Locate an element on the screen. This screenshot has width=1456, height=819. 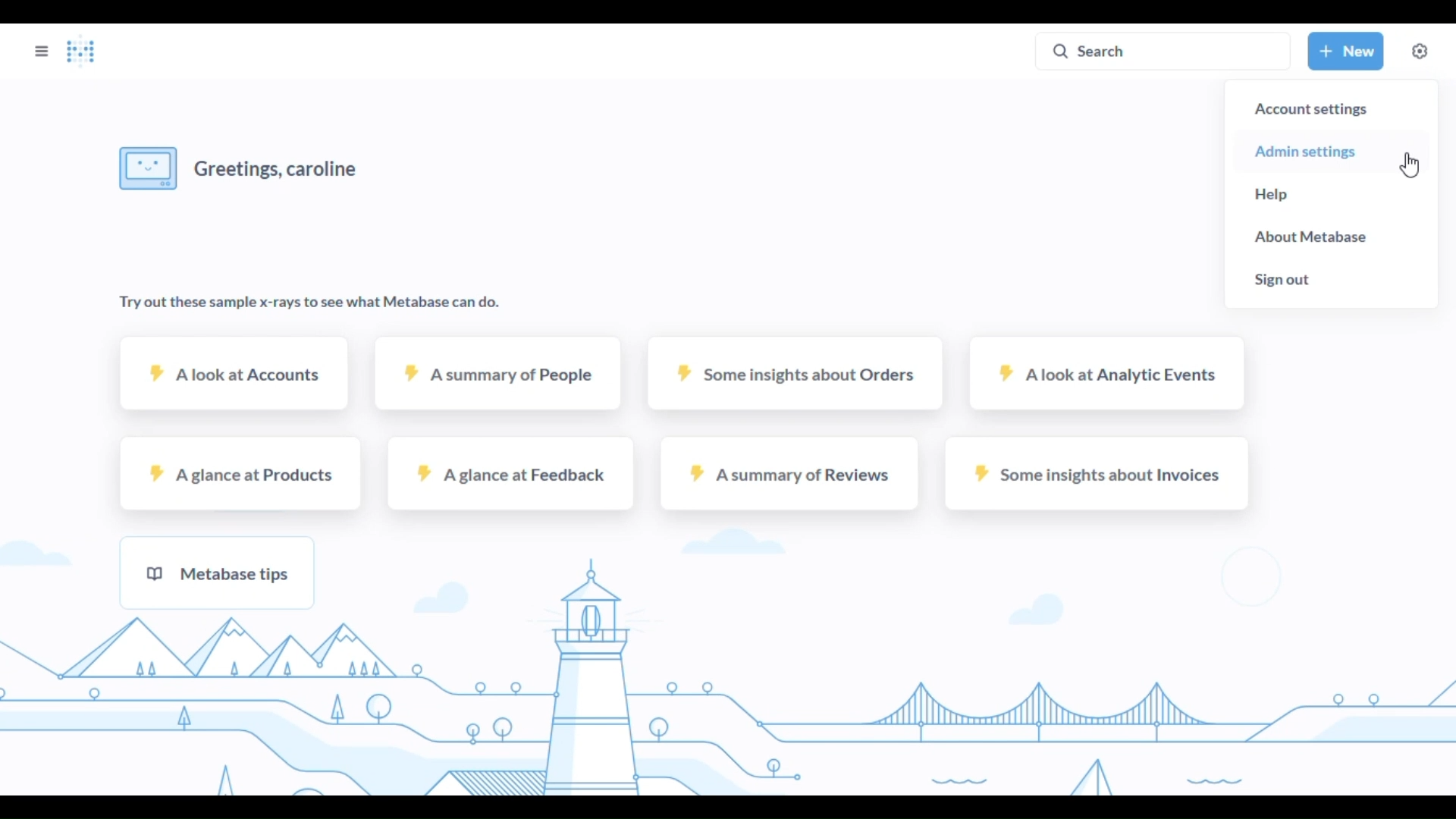
admin settings is located at coordinates (1306, 151).